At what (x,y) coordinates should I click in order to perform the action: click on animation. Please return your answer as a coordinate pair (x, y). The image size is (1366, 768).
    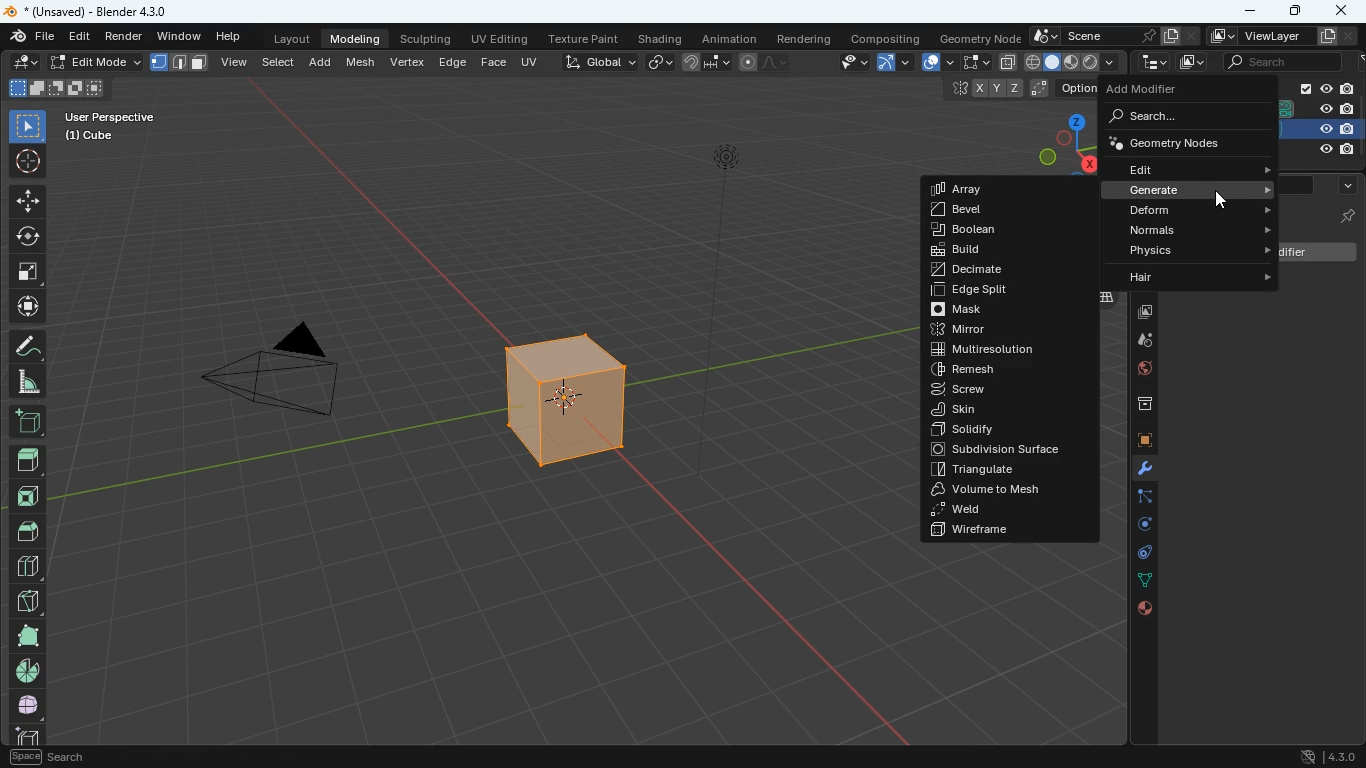
    Looking at the image, I should click on (730, 37).